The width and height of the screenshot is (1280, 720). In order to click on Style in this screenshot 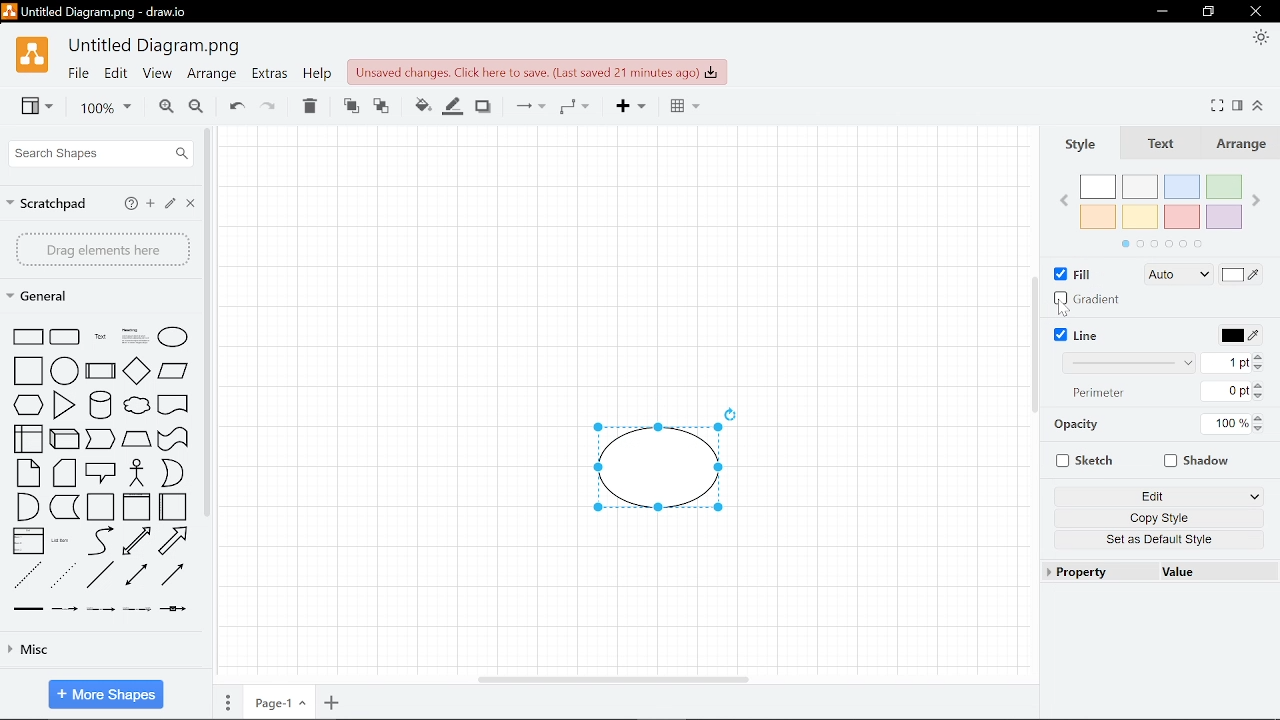, I will do `click(1079, 146)`.